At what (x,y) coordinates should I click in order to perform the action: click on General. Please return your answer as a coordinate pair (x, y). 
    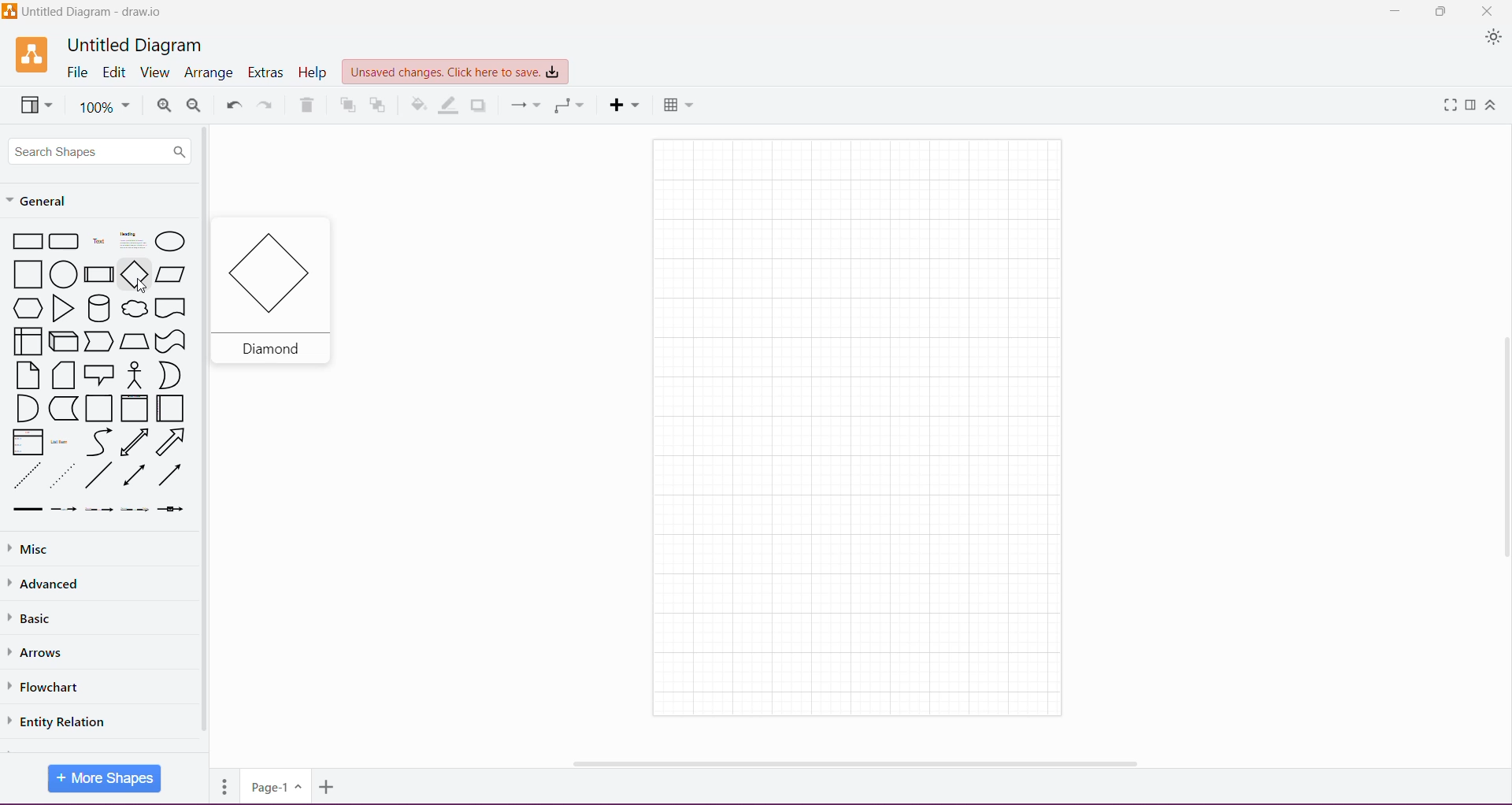
    Looking at the image, I should click on (41, 201).